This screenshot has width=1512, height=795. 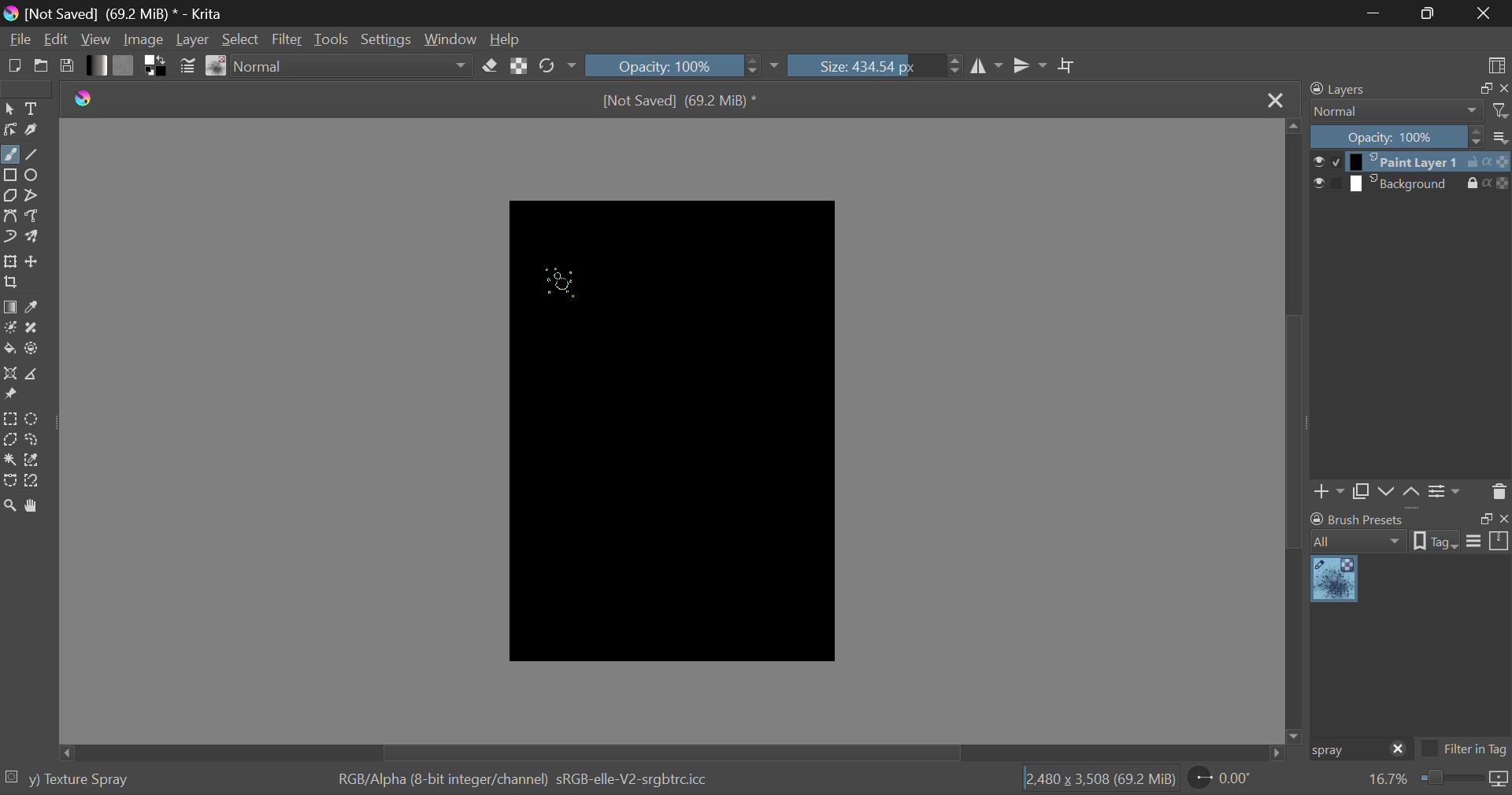 I want to click on Measurements, so click(x=30, y=375).